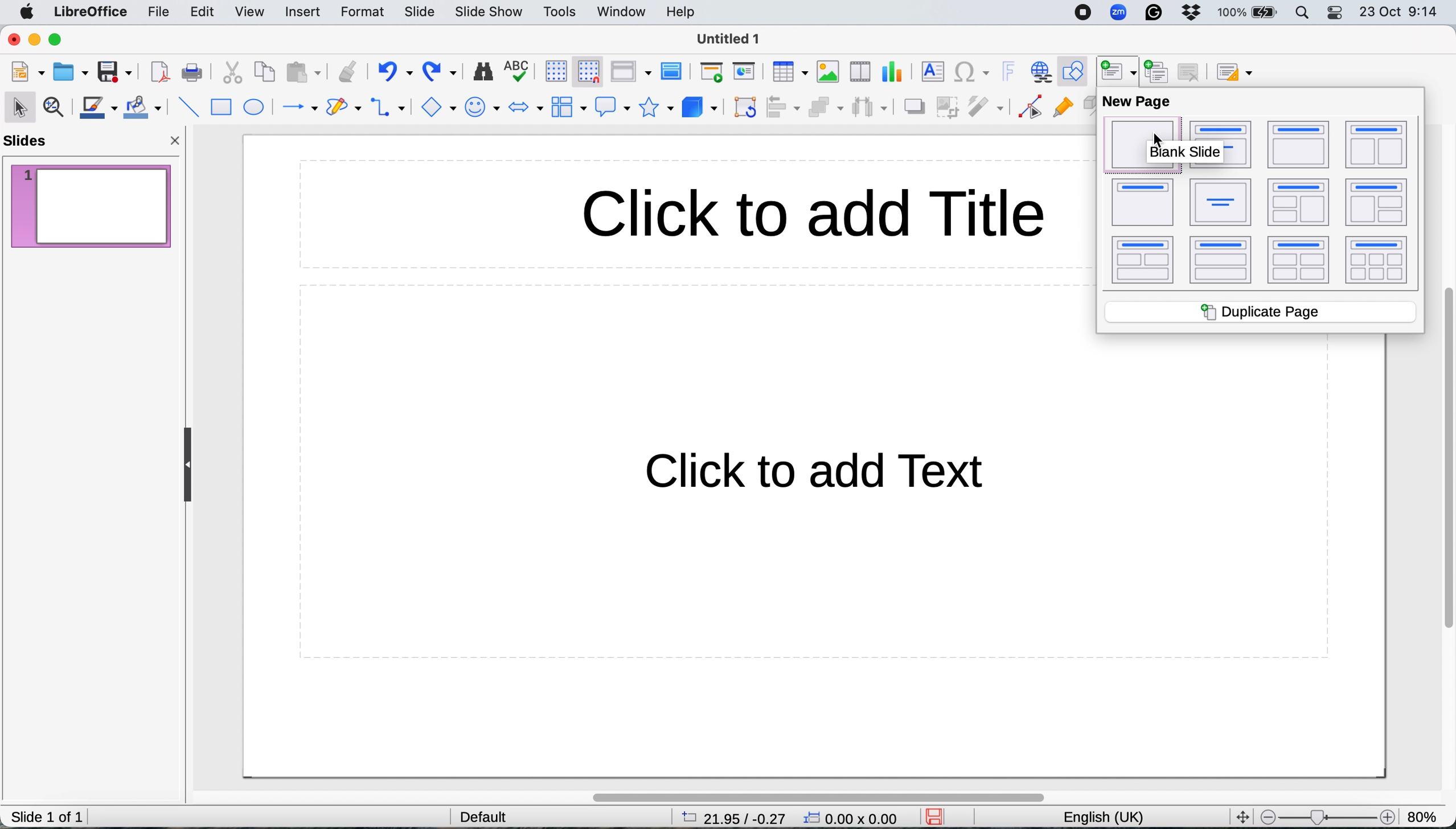 The image size is (1456, 829). I want to click on redo, so click(442, 72).